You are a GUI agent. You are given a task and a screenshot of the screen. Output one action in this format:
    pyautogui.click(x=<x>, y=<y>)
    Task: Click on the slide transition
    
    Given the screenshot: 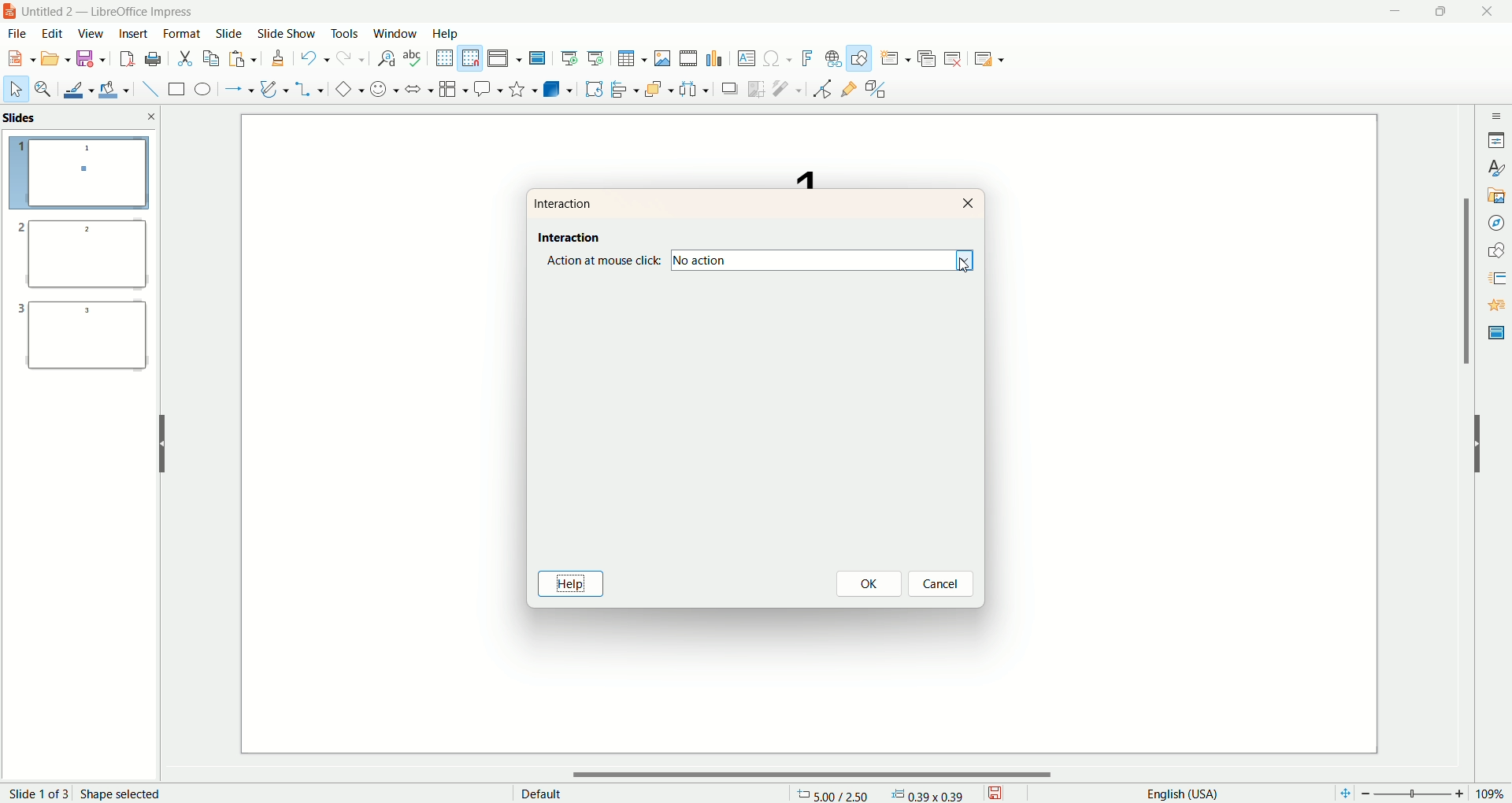 What is the action you would take?
    pyautogui.click(x=1495, y=276)
    